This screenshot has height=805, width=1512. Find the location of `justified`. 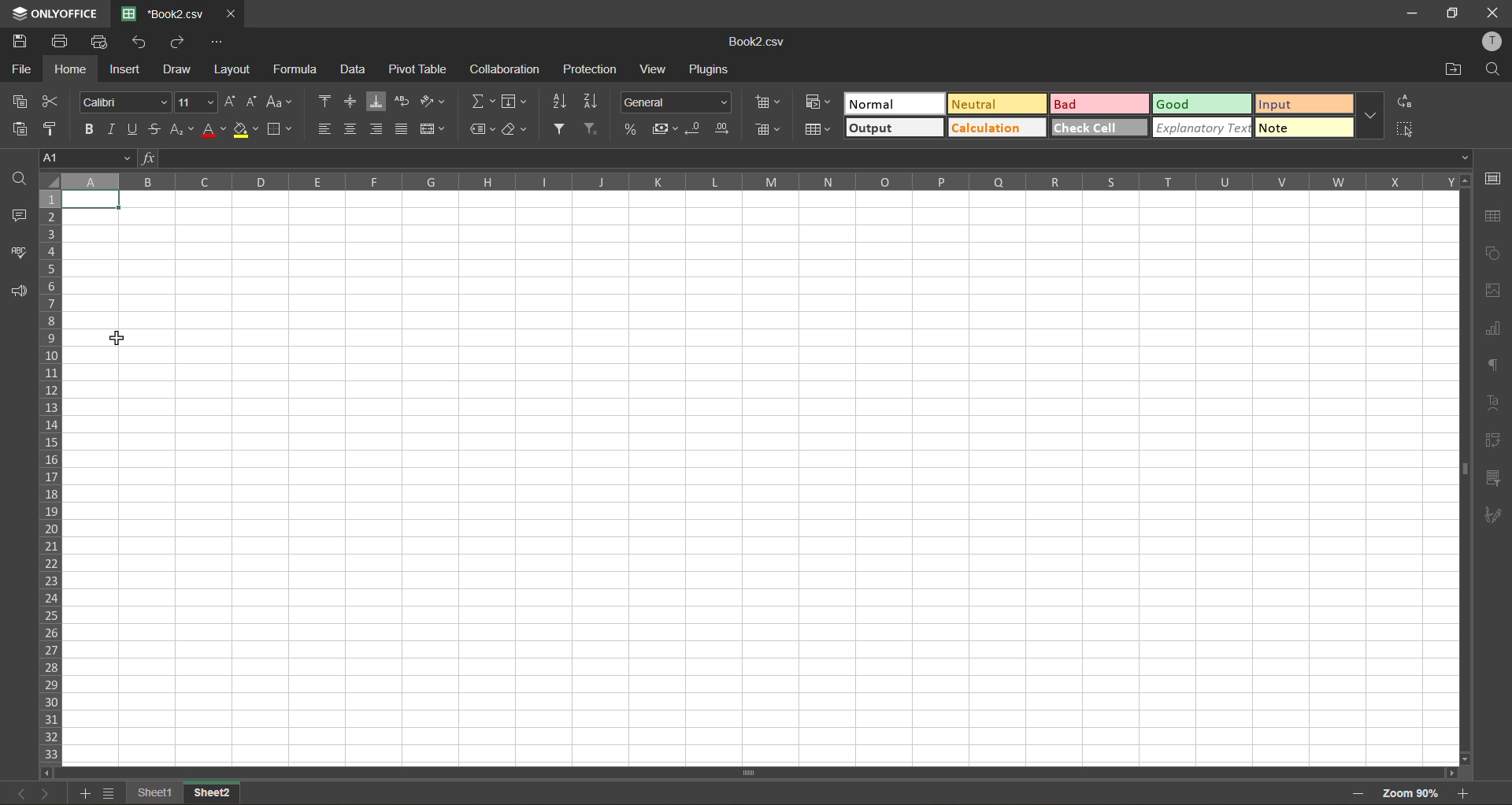

justified is located at coordinates (405, 131).